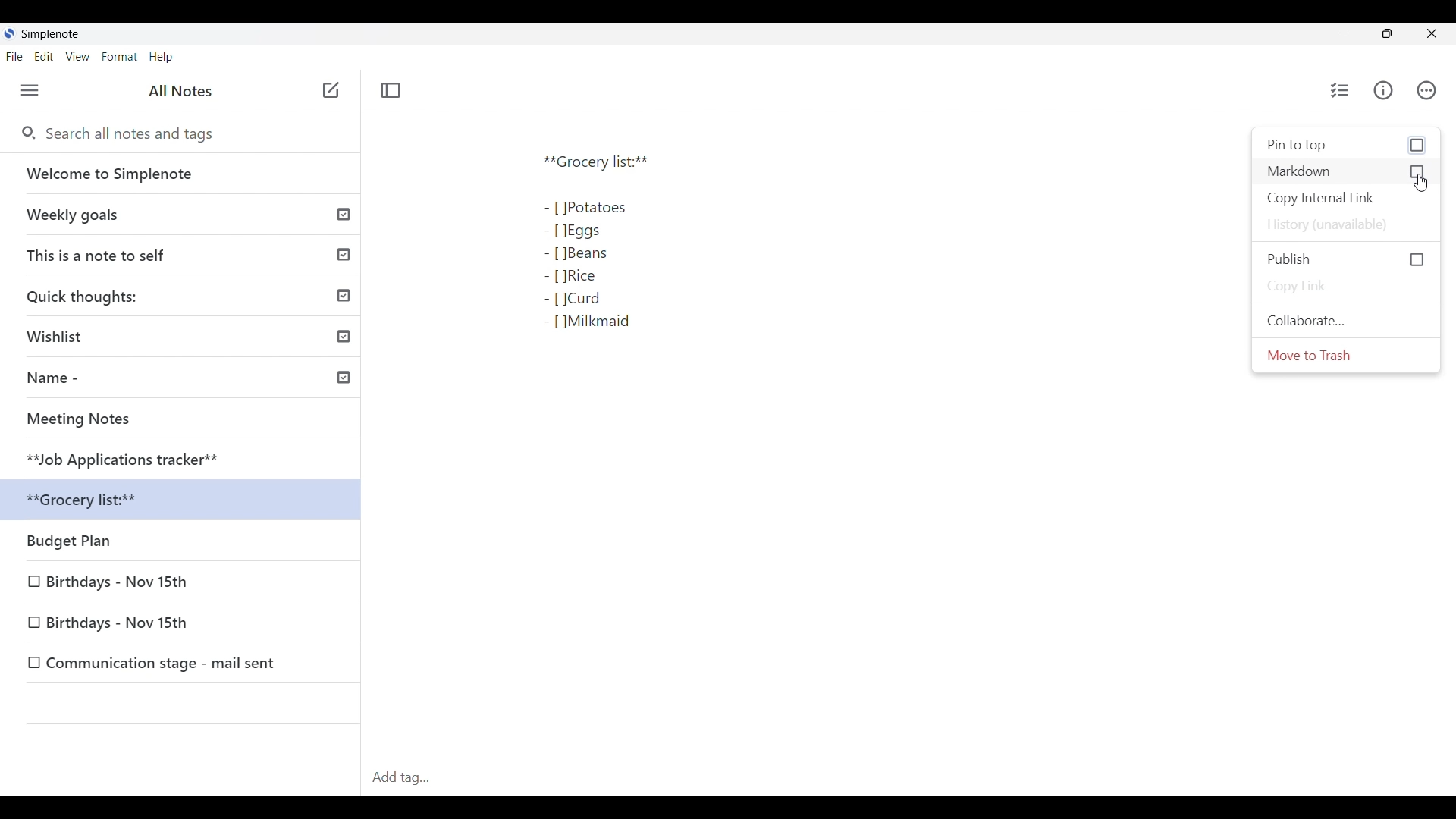 This screenshot has width=1456, height=819. Describe the element at coordinates (1383, 90) in the screenshot. I see `Info` at that location.